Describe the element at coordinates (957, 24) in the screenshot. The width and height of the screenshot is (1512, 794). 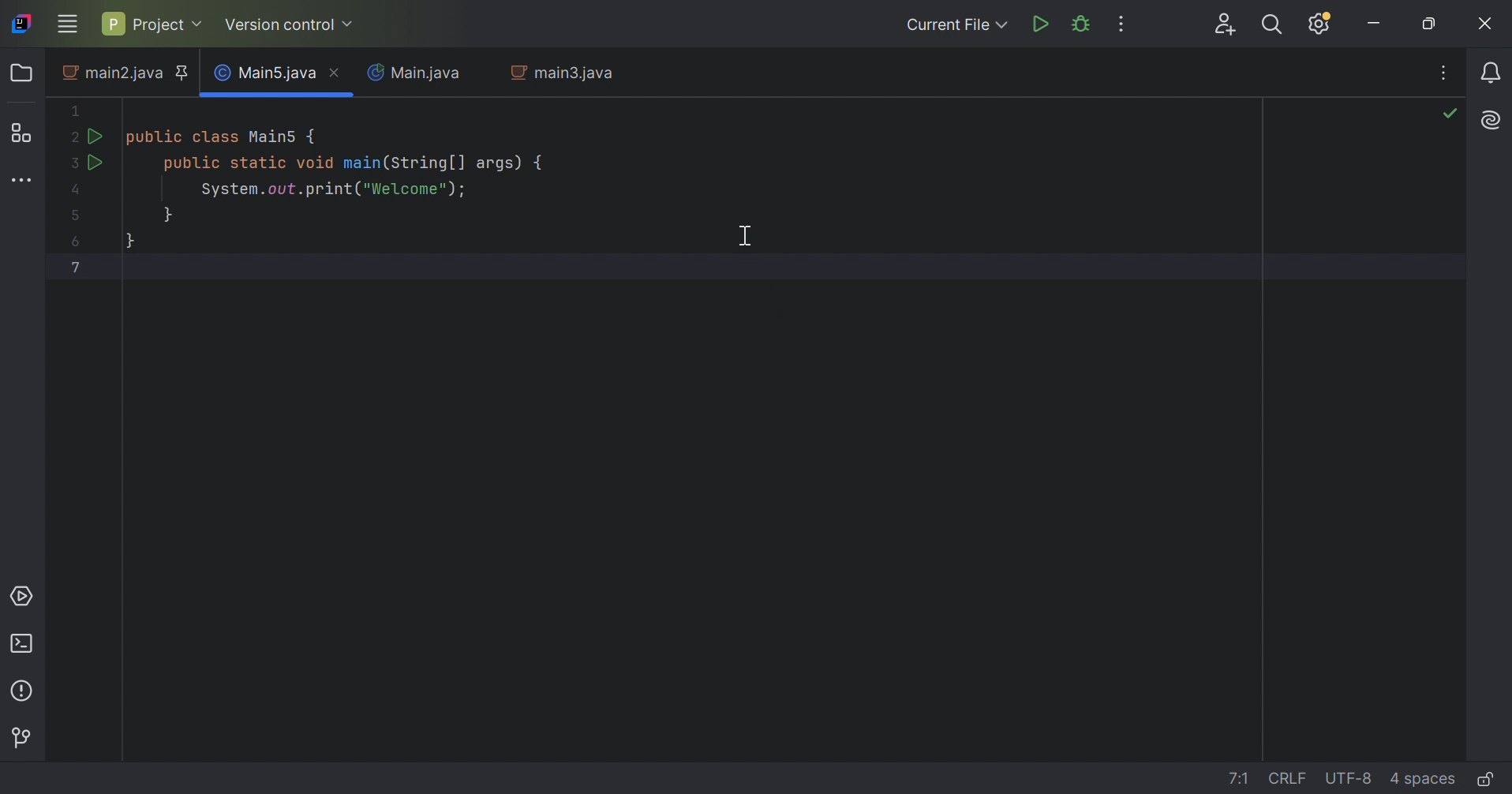
I see `Current file` at that location.